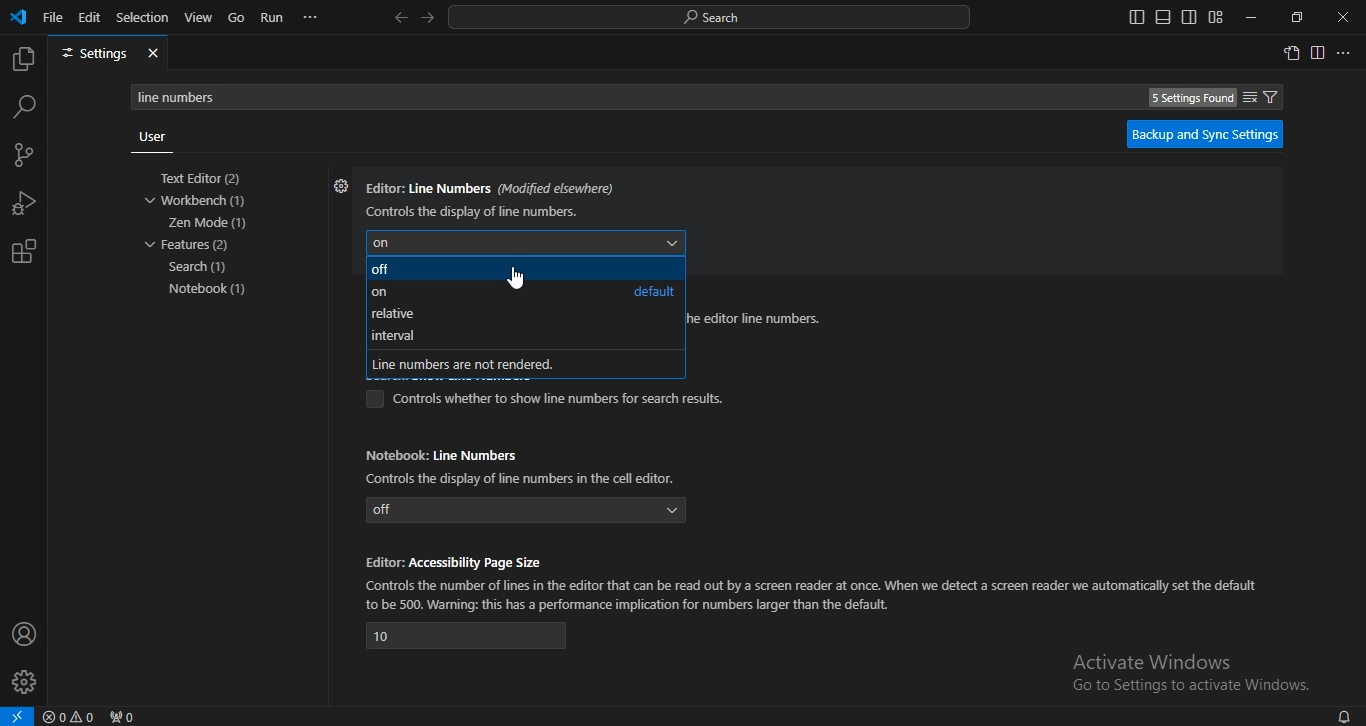 This screenshot has height=726, width=1366. Describe the element at coordinates (1345, 54) in the screenshot. I see `...` at that location.